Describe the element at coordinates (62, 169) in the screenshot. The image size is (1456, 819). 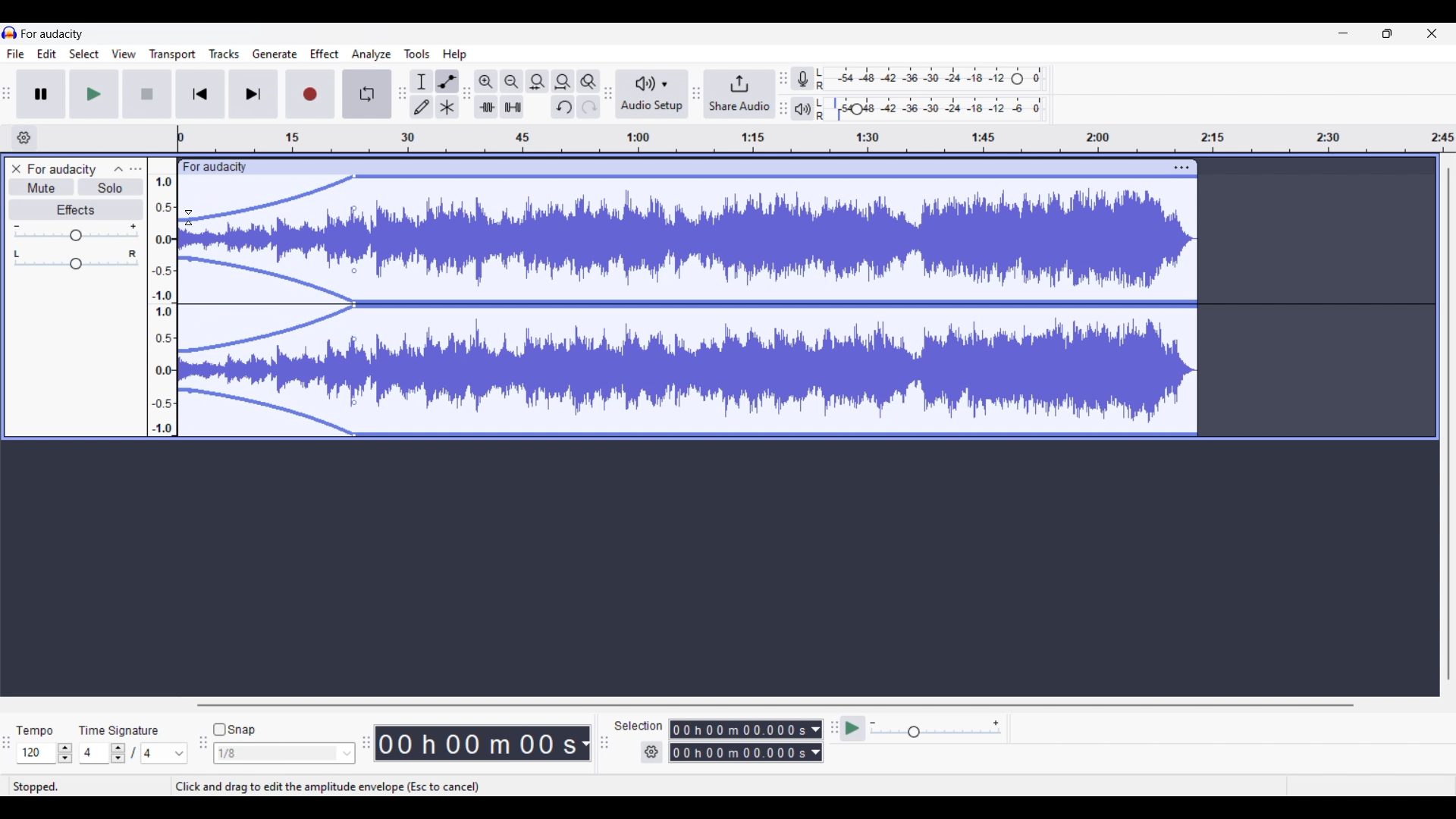
I see `for audacity` at that location.